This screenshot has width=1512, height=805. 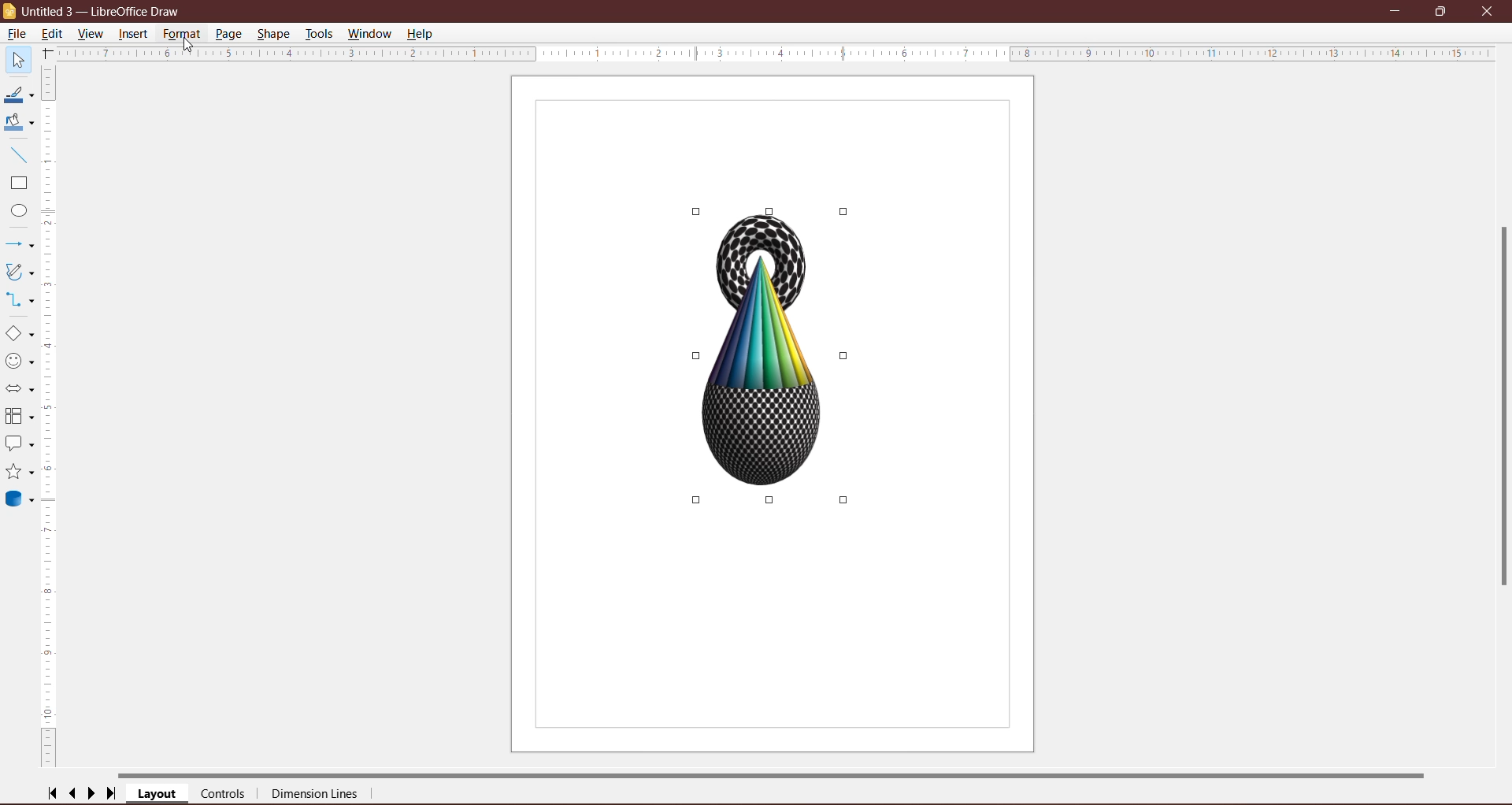 What do you see at coordinates (73, 793) in the screenshot?
I see `Scroll to previous page` at bounding box center [73, 793].